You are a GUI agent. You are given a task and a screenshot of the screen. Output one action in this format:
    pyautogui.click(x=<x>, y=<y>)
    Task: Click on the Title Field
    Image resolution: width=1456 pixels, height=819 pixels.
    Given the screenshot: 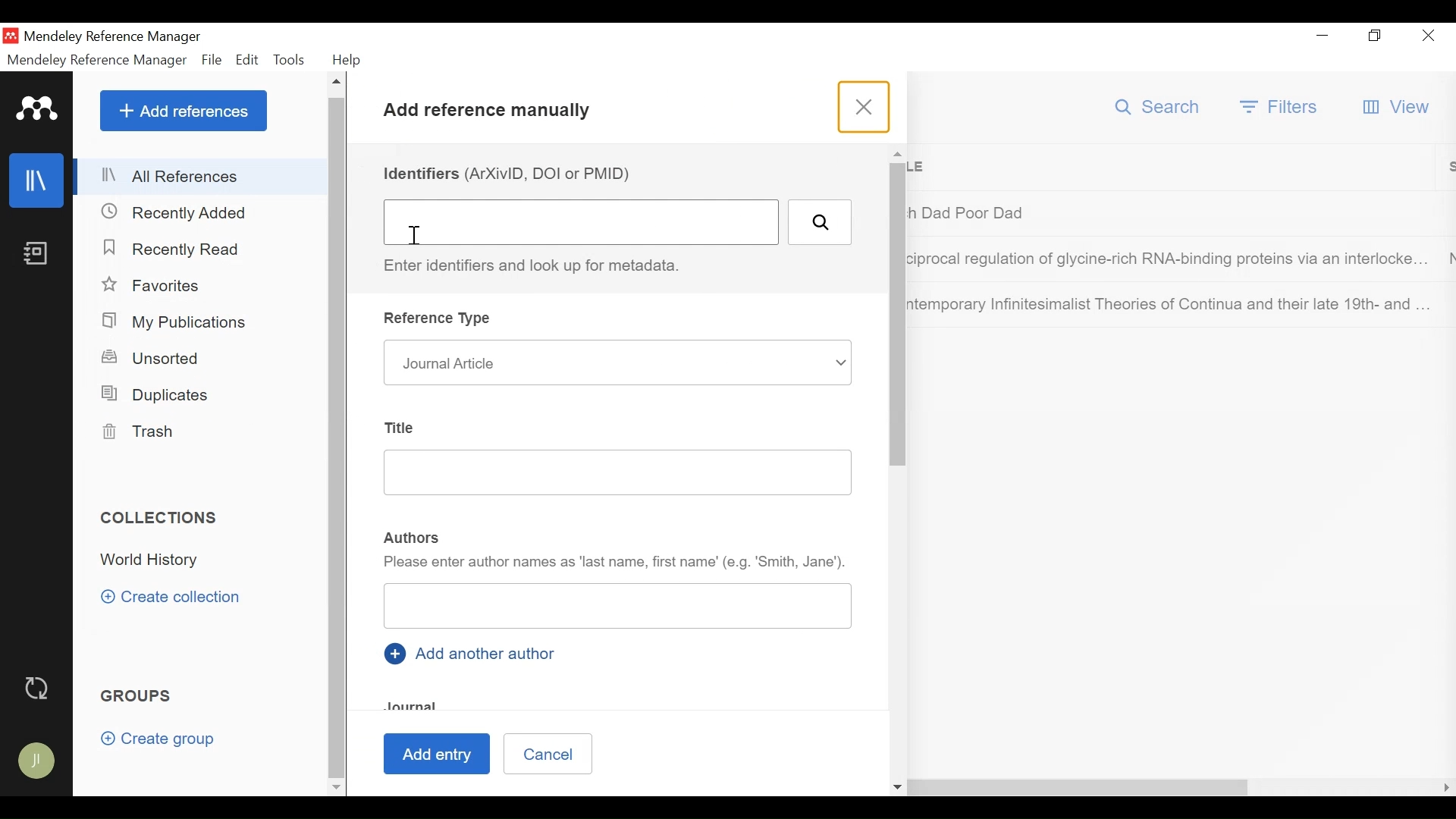 What is the action you would take?
    pyautogui.click(x=618, y=472)
    